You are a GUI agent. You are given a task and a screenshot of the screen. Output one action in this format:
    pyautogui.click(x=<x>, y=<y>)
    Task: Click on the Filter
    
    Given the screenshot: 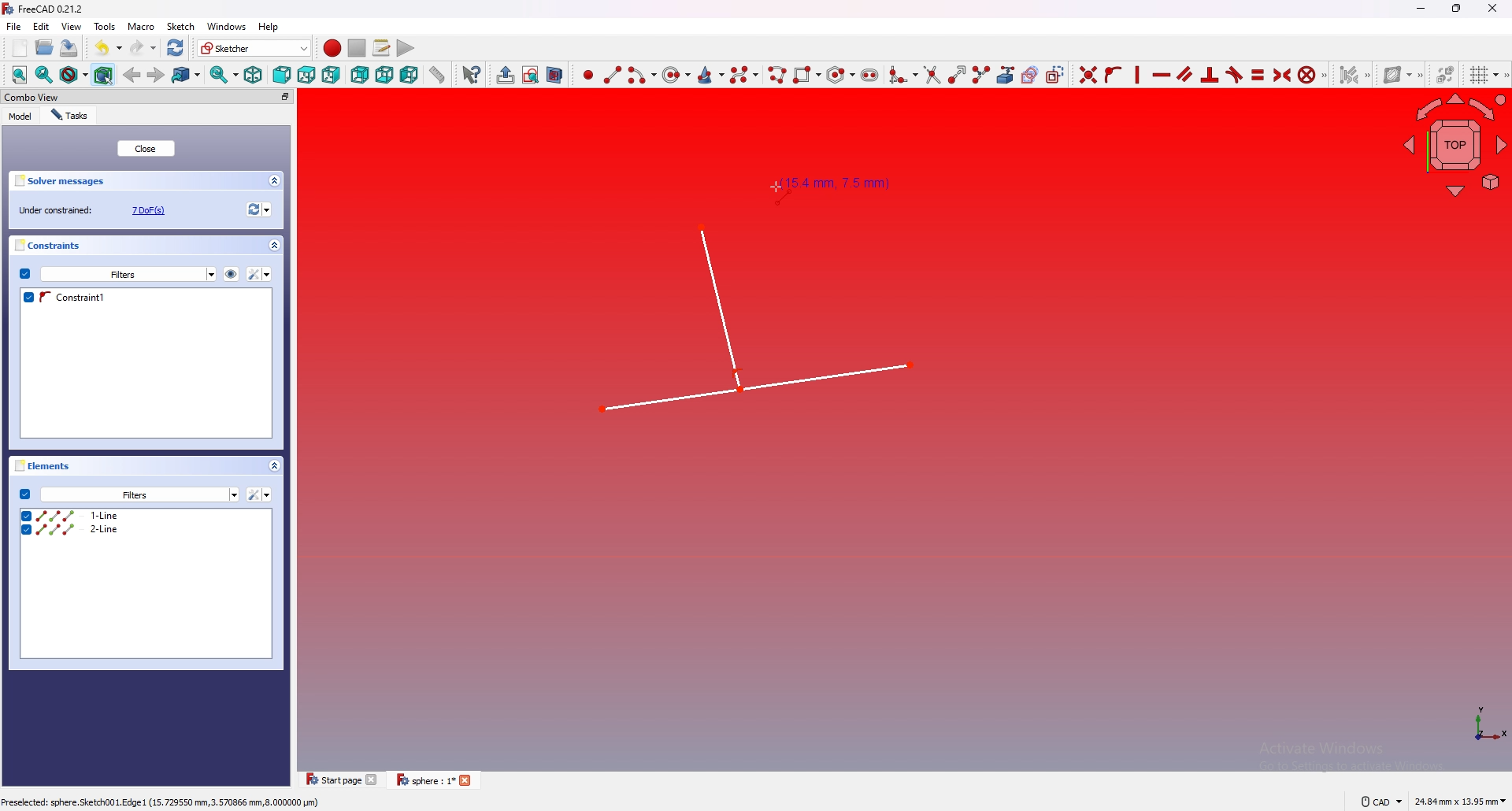 What is the action you would take?
    pyautogui.click(x=260, y=494)
    